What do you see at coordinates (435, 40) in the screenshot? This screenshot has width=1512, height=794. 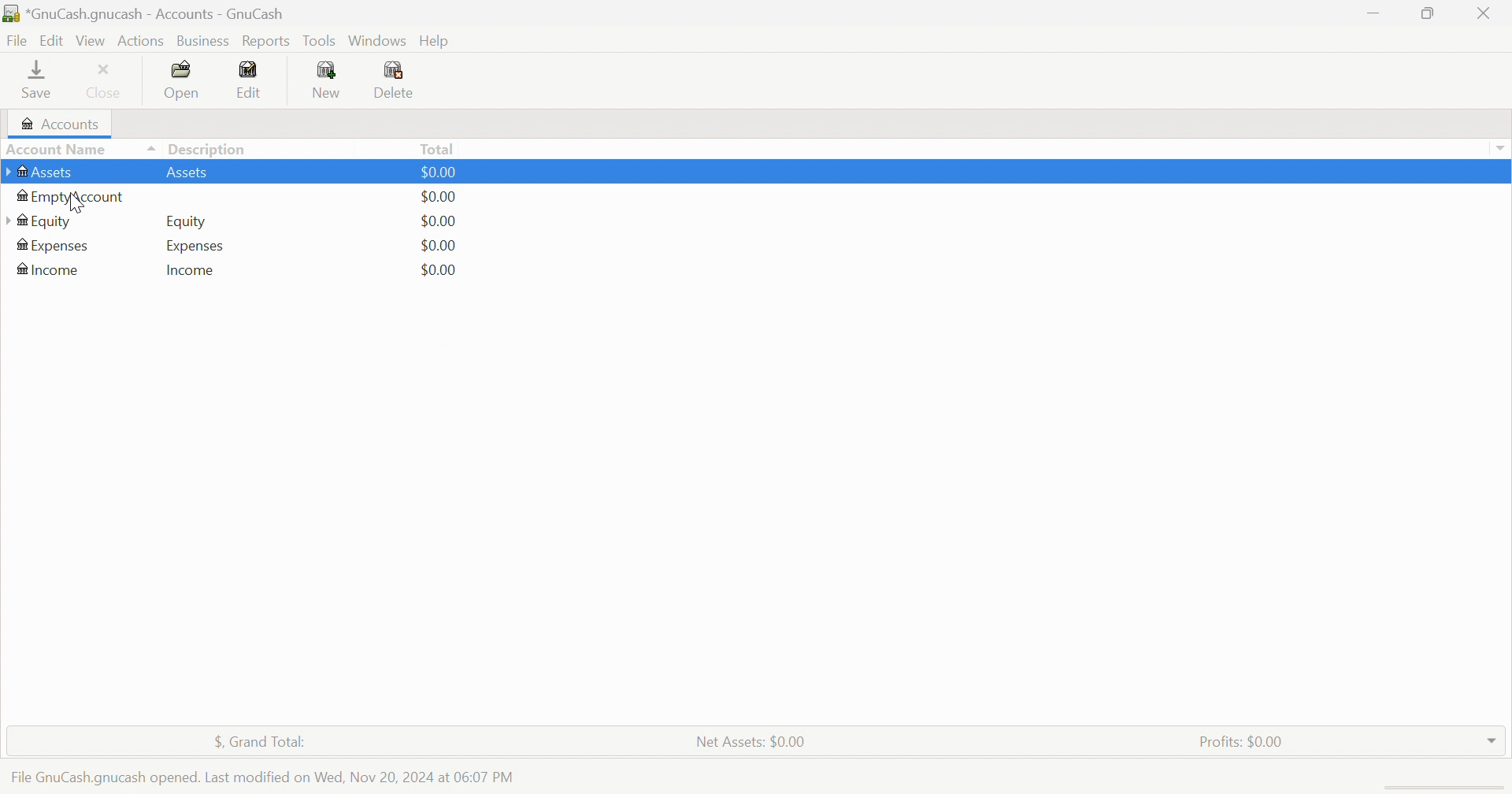 I see `Help` at bounding box center [435, 40].